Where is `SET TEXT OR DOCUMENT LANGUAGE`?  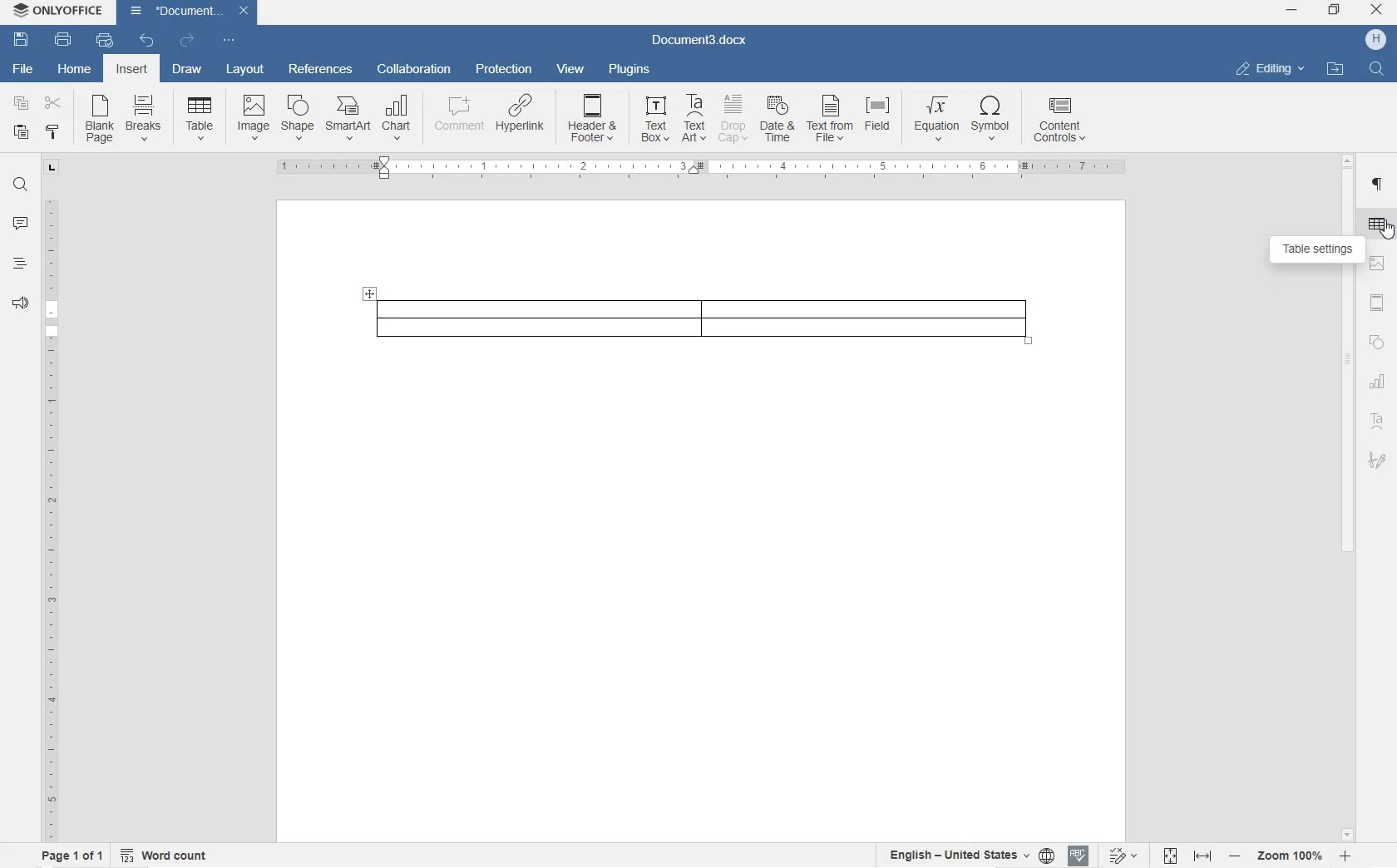
SET TEXT OR DOCUMENT LANGUAGE is located at coordinates (966, 853).